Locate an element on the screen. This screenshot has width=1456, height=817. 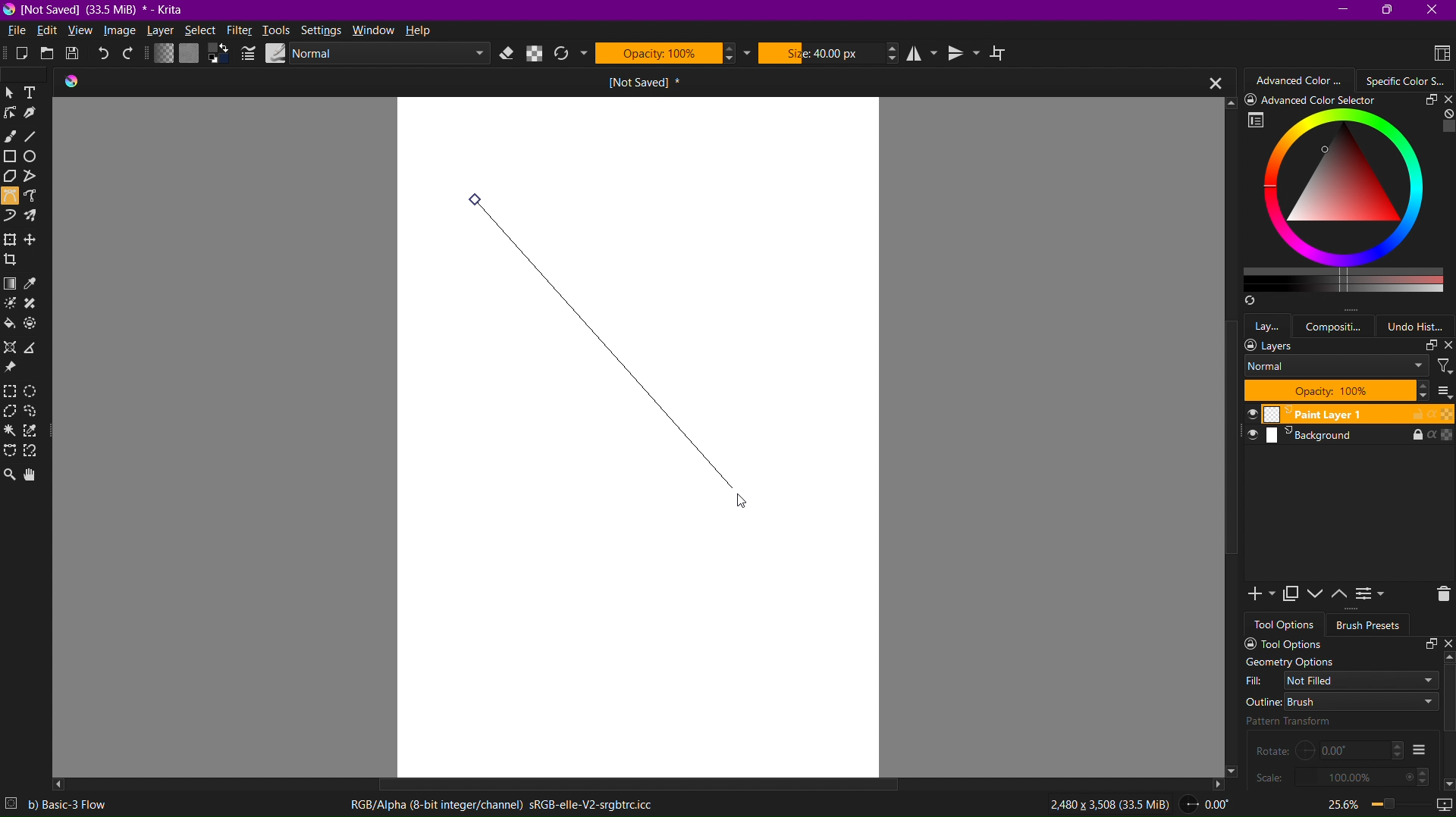
Composition is located at coordinates (1338, 325).